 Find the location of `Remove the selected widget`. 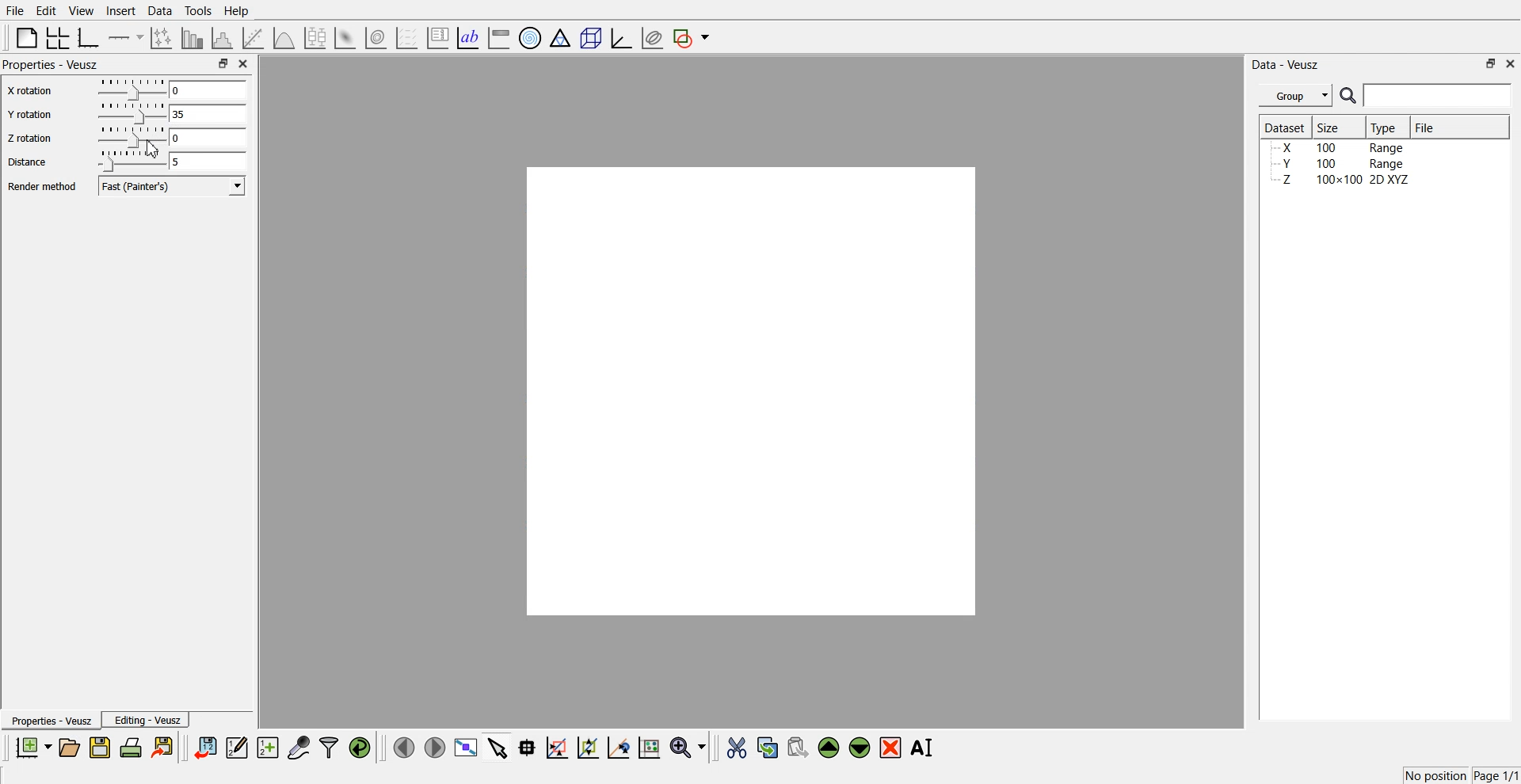

Remove the selected widget is located at coordinates (890, 748).